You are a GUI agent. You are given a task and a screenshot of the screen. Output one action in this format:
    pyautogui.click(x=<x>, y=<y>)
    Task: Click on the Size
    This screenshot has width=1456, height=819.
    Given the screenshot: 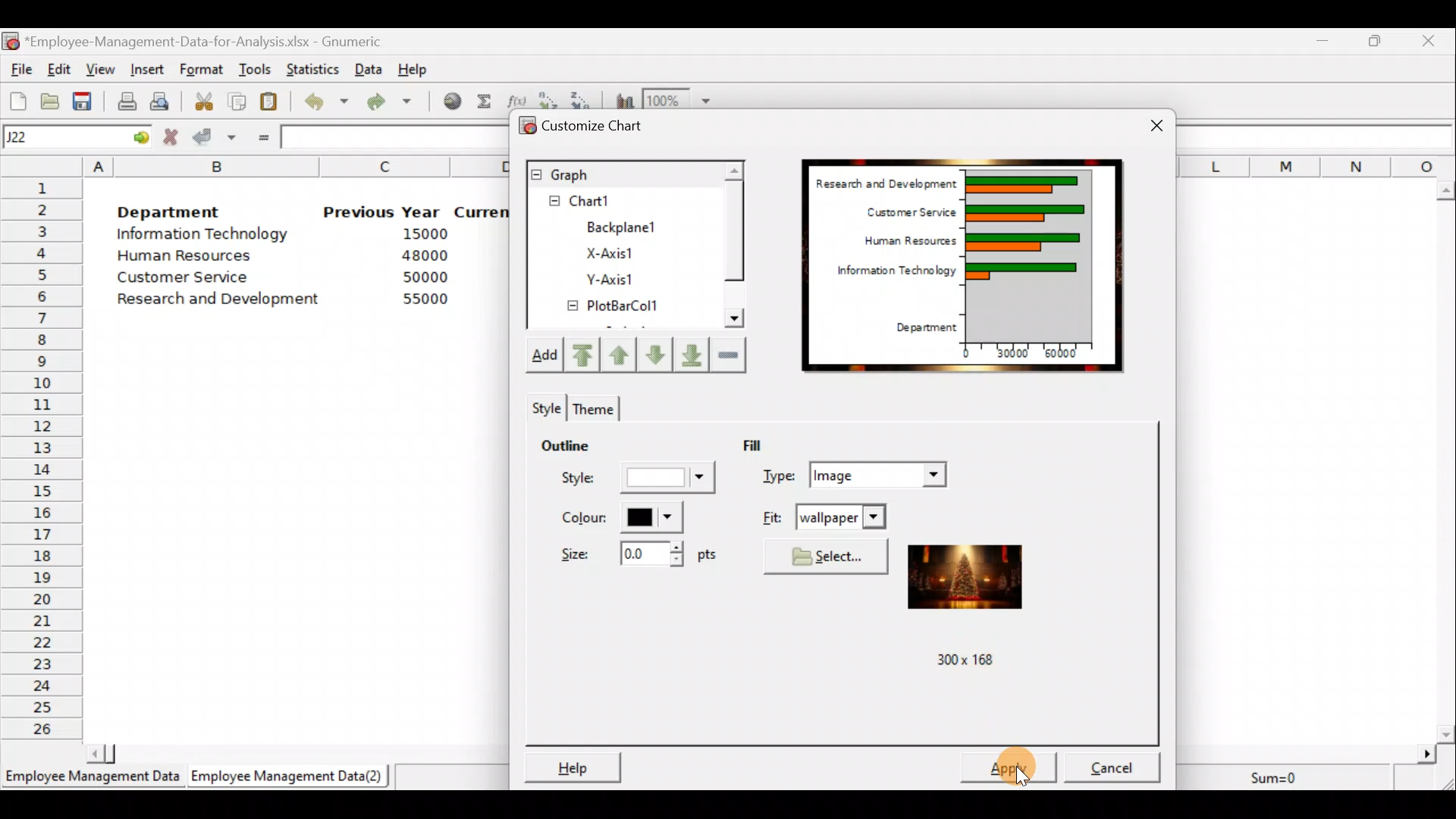 What is the action you would take?
    pyautogui.click(x=632, y=558)
    